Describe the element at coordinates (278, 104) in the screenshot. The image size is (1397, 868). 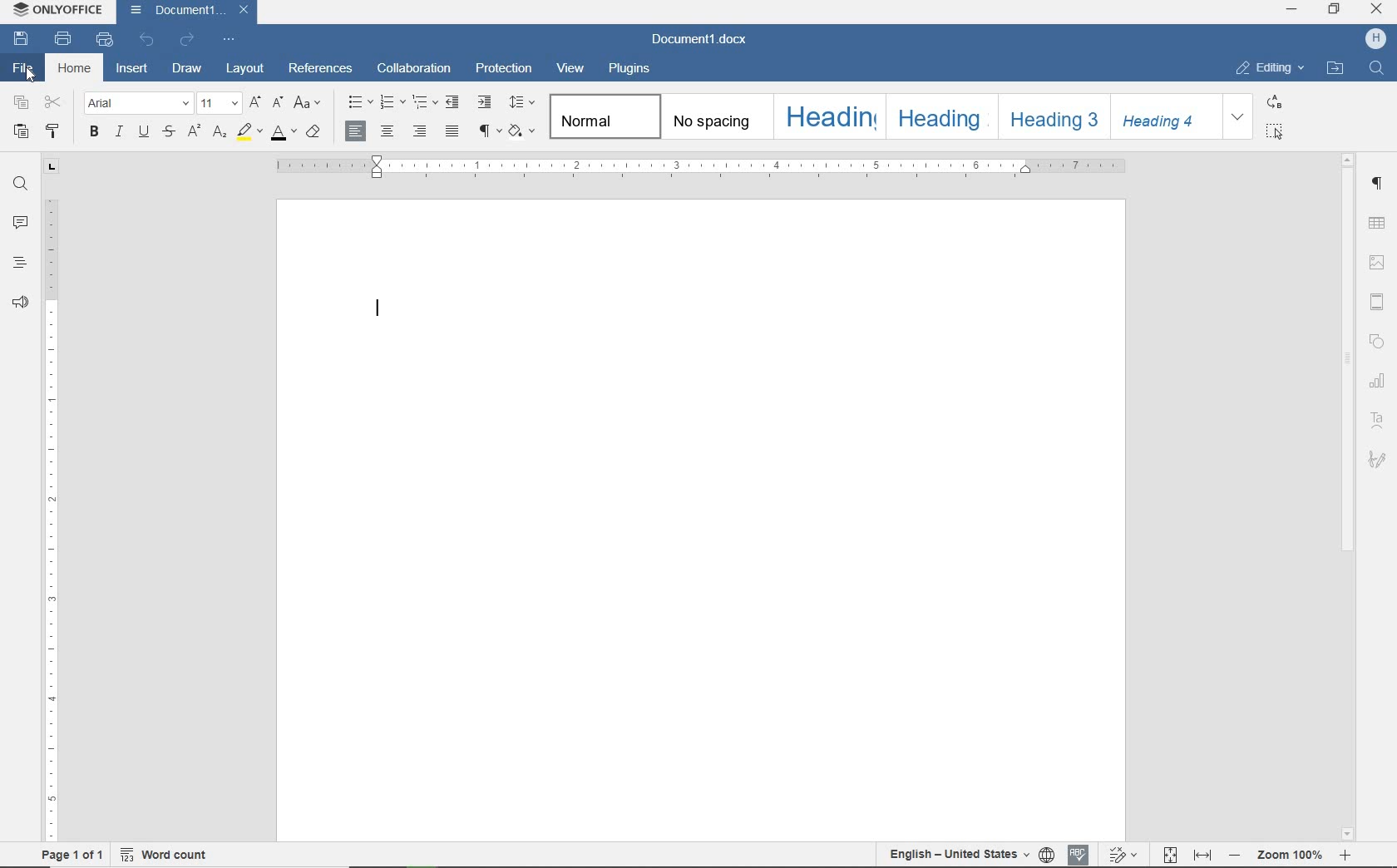
I see `decrement font size` at that location.